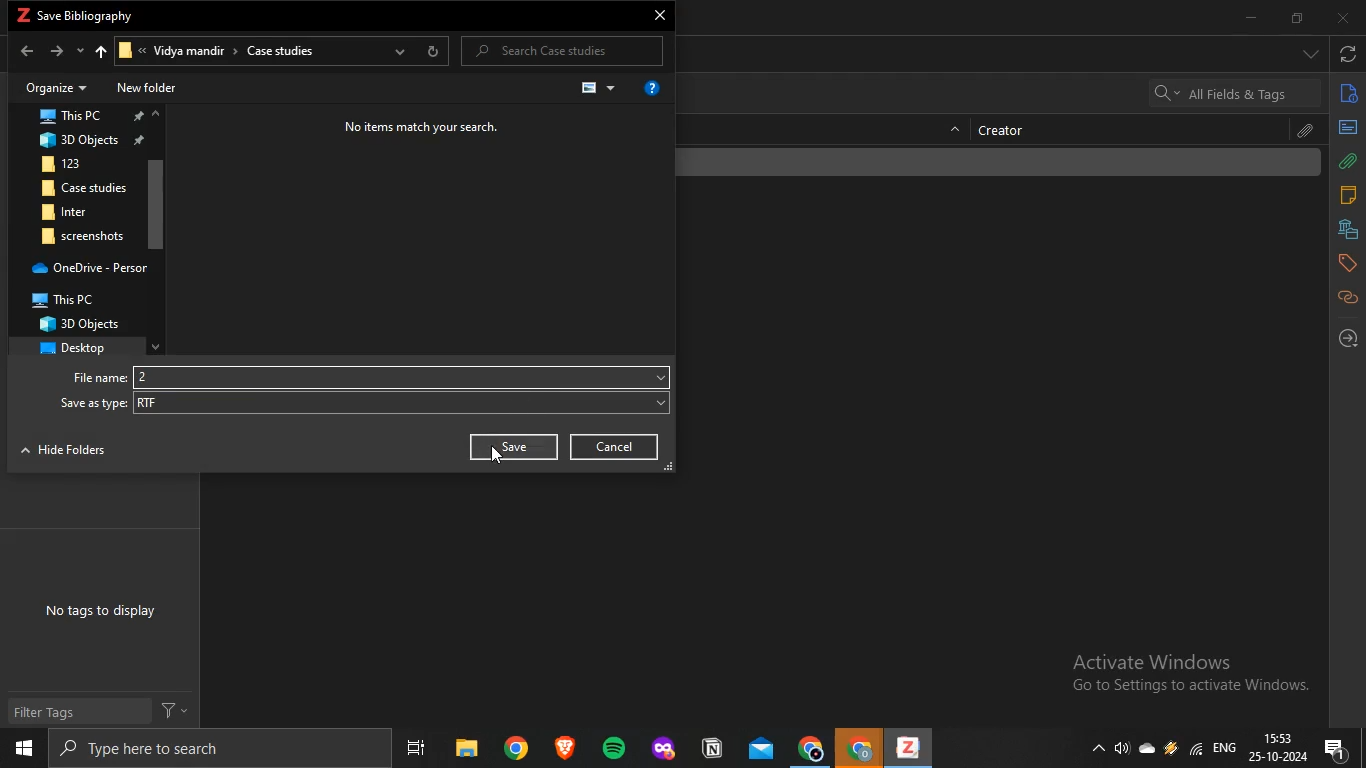 The image size is (1366, 768). I want to click on attachments, so click(1348, 161).